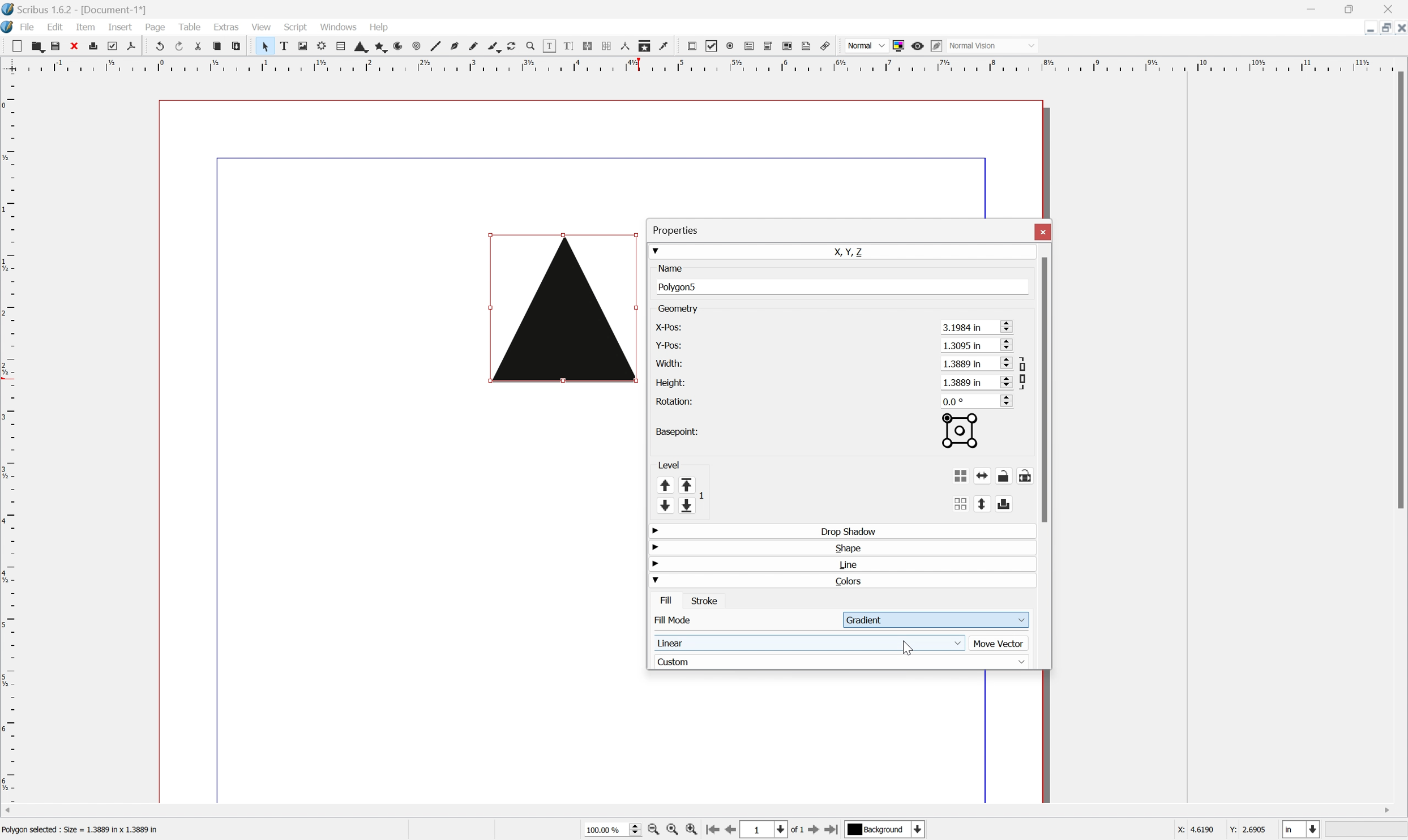  I want to click on Normal, so click(867, 45).